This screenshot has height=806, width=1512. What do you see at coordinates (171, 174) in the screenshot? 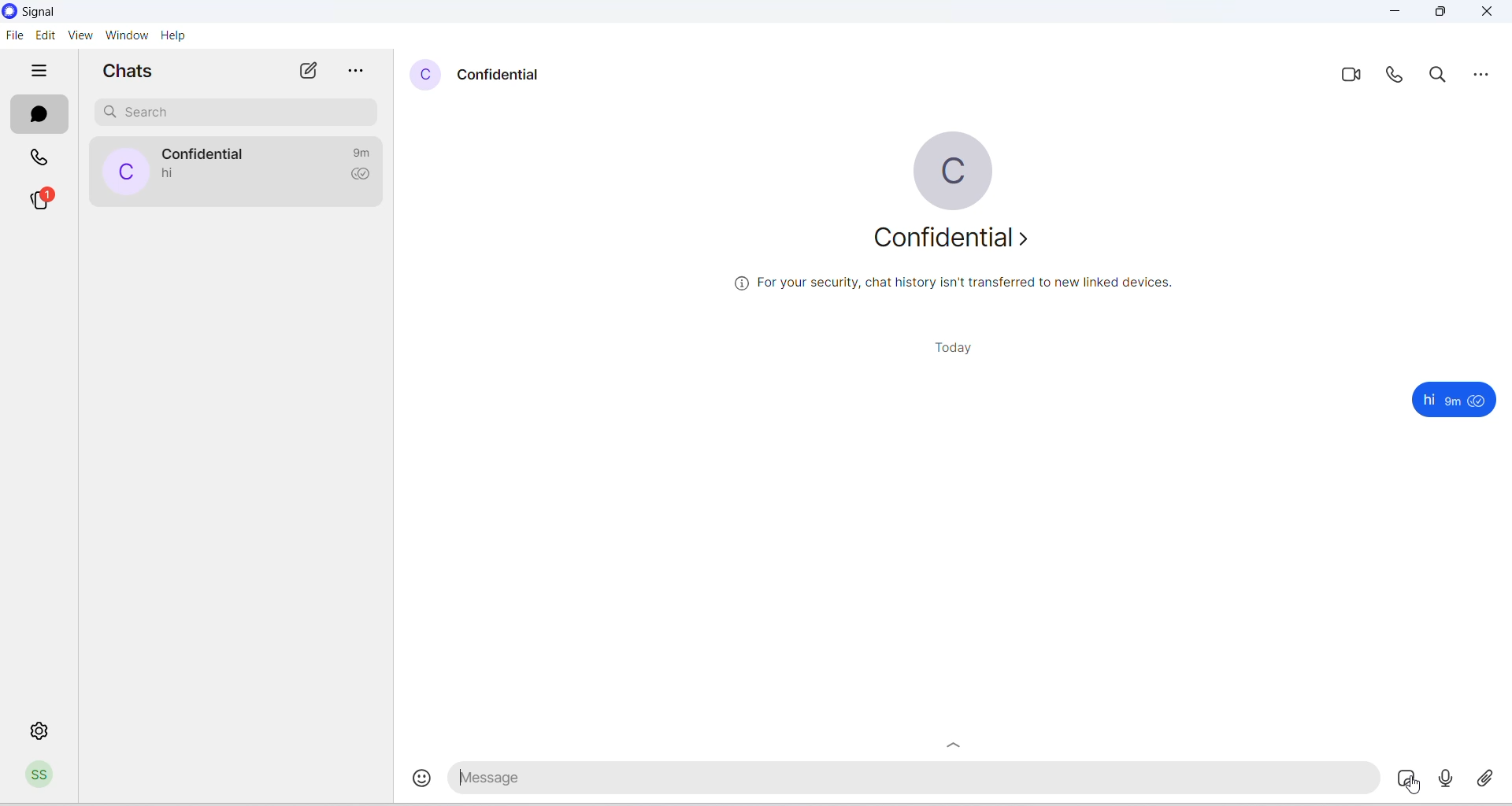
I see `last message` at bounding box center [171, 174].